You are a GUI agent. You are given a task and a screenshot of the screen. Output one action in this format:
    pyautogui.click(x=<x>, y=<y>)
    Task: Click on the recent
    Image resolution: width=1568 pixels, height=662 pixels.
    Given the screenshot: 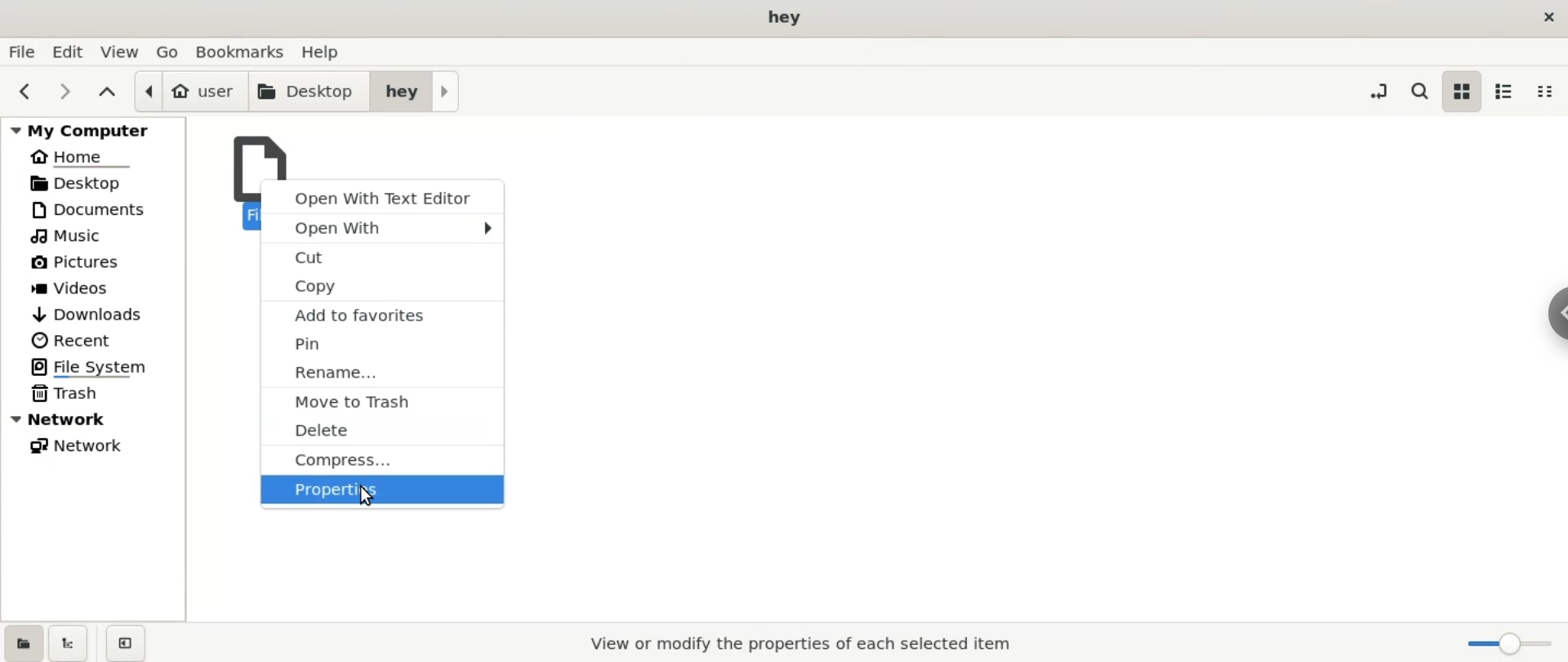 What is the action you would take?
    pyautogui.click(x=94, y=340)
    